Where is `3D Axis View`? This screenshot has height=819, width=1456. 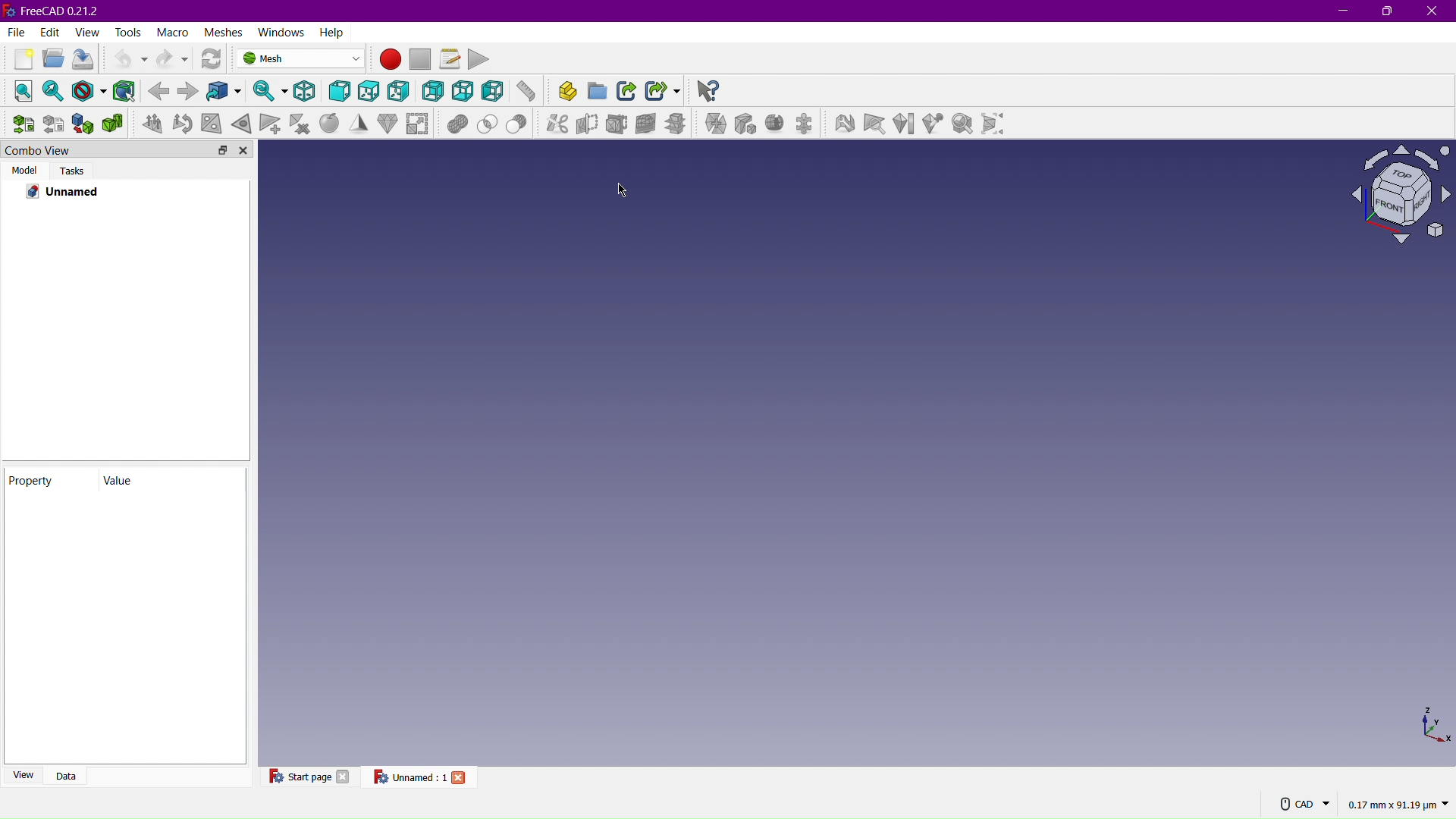 3D Axis View is located at coordinates (1432, 724).